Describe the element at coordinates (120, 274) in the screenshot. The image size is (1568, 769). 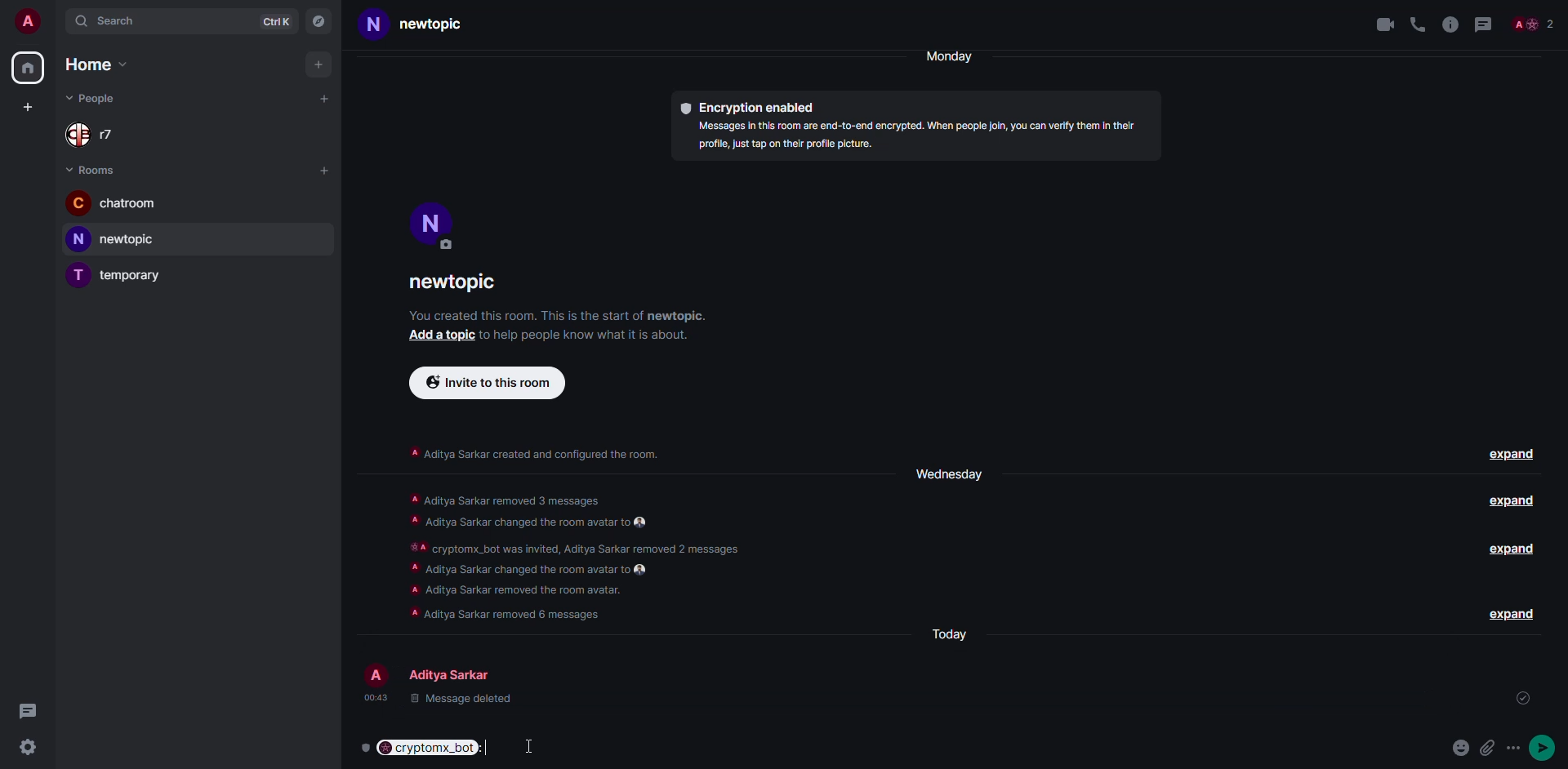
I see `room` at that location.